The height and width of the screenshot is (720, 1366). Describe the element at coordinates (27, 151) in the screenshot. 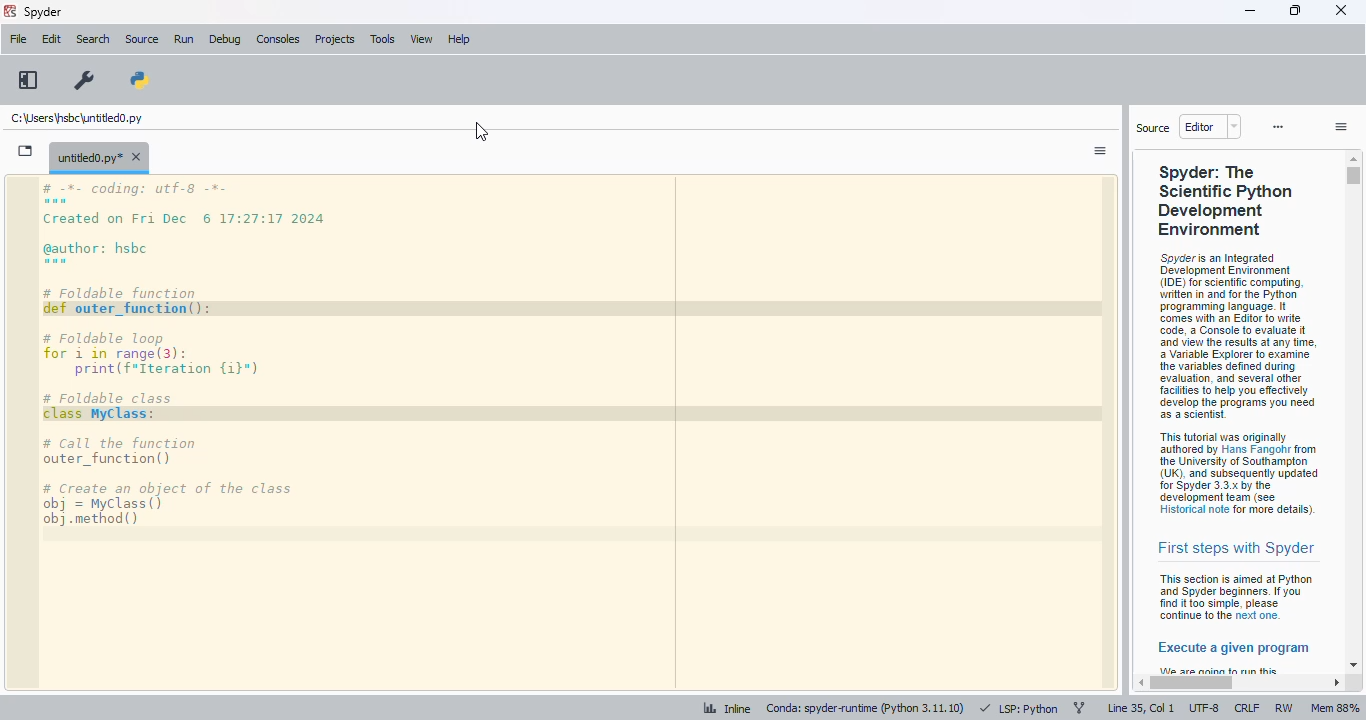

I see `browse tabs` at that location.